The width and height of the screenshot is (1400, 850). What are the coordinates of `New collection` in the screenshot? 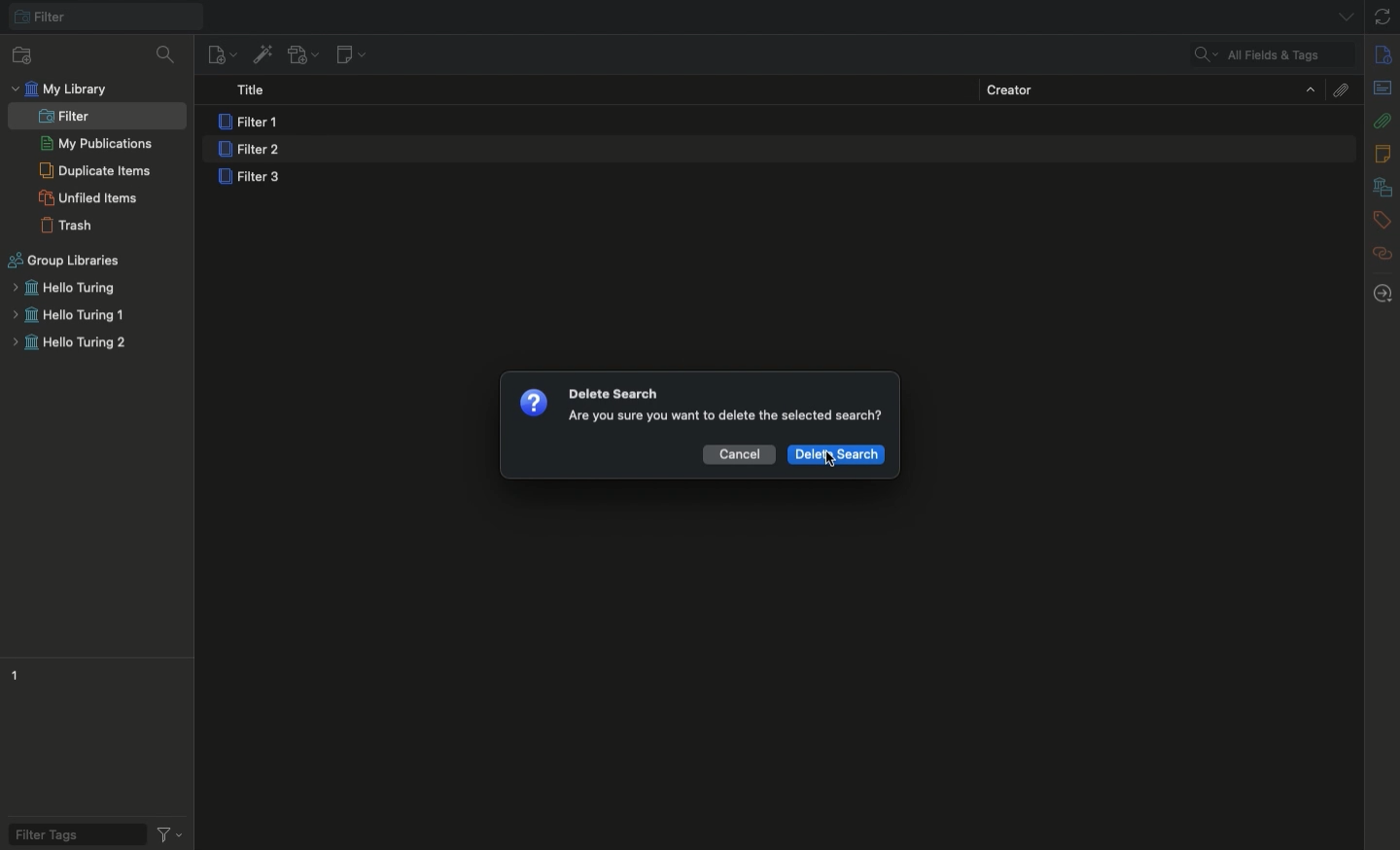 It's located at (18, 54).